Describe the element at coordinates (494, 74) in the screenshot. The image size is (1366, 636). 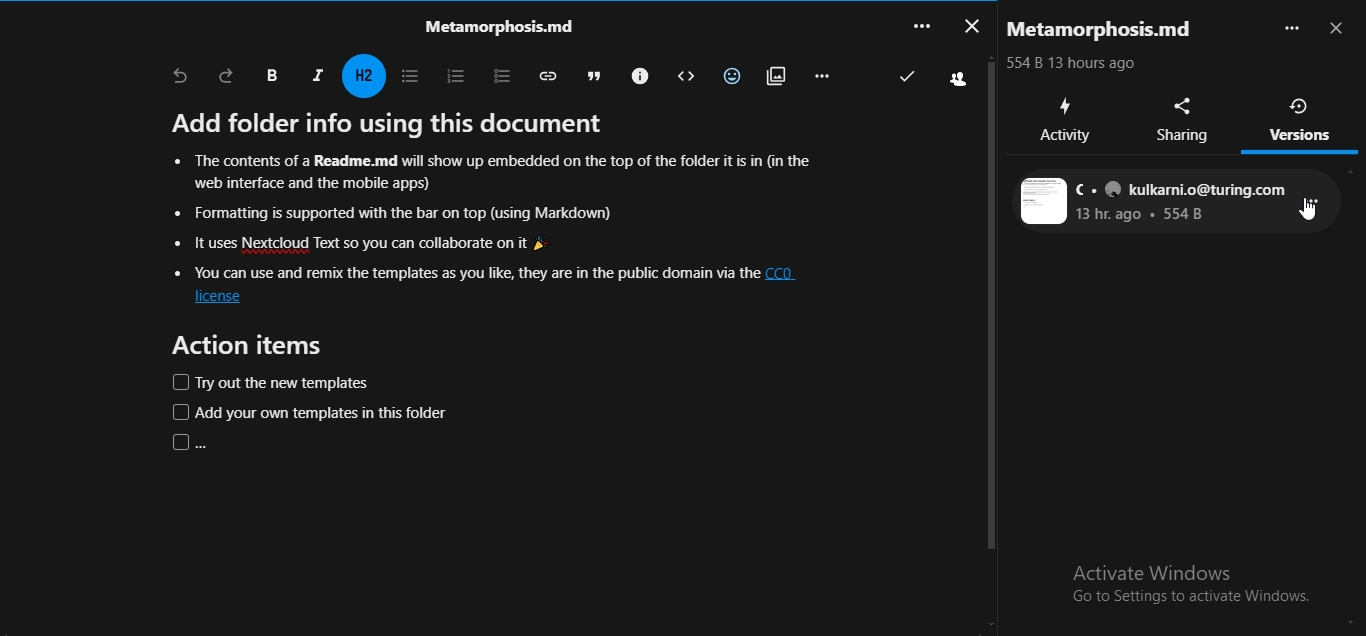
I see `to do list` at that location.